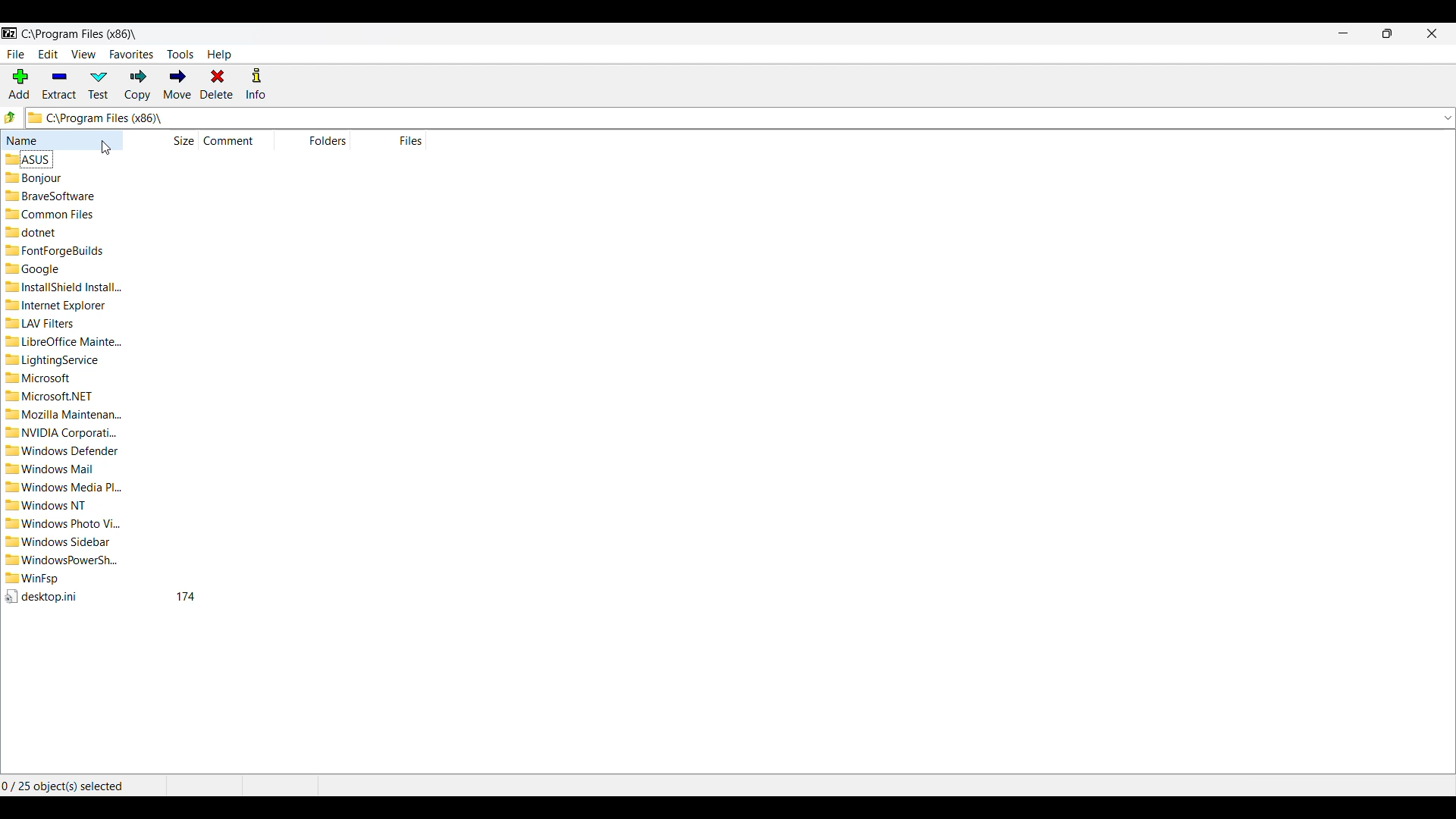 This screenshot has width=1456, height=819. Describe the element at coordinates (64, 340) in the screenshot. I see `LibreOffice Mainte..` at that location.